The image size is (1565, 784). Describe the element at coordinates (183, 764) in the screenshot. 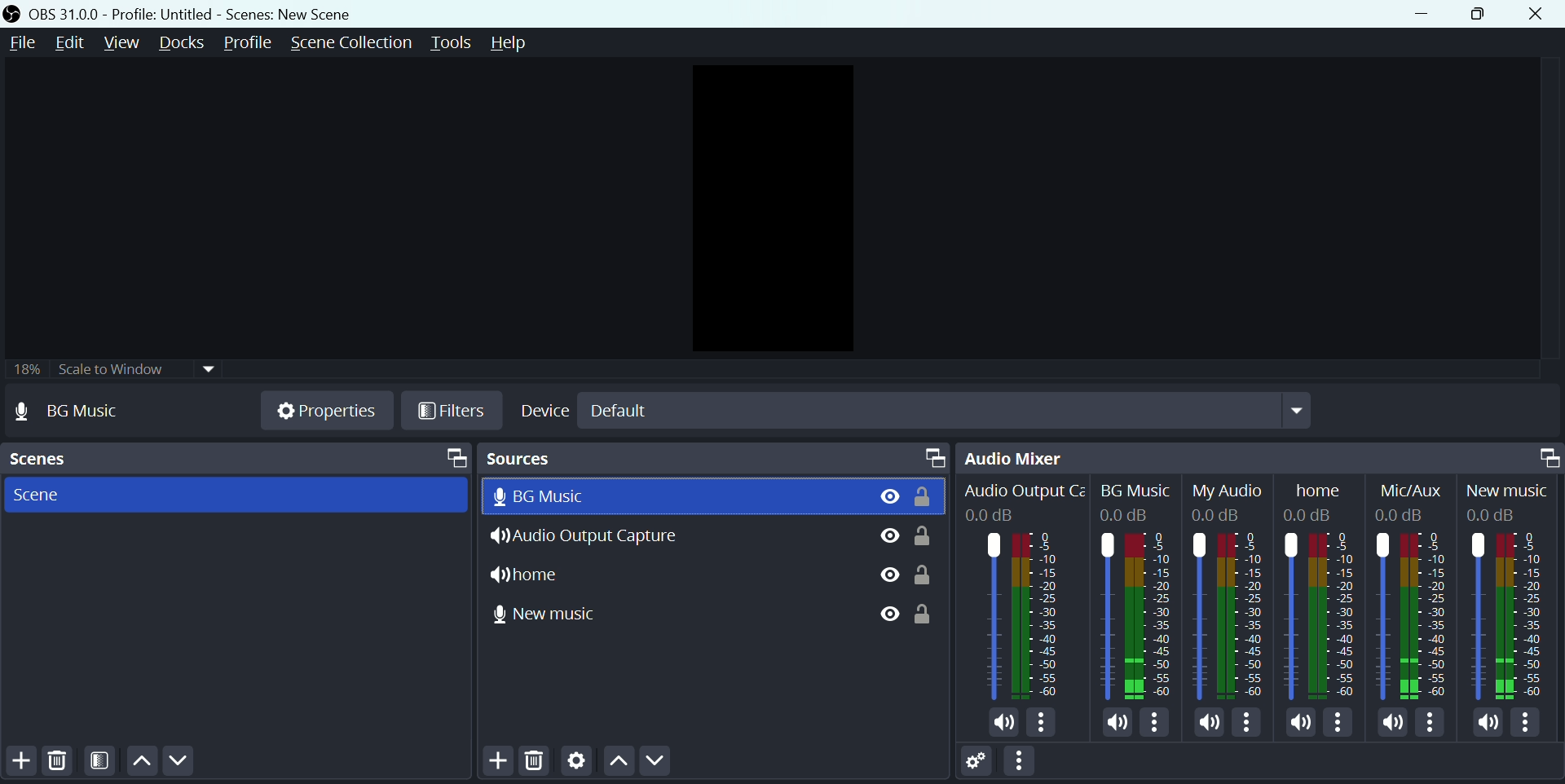

I see `Down` at that location.